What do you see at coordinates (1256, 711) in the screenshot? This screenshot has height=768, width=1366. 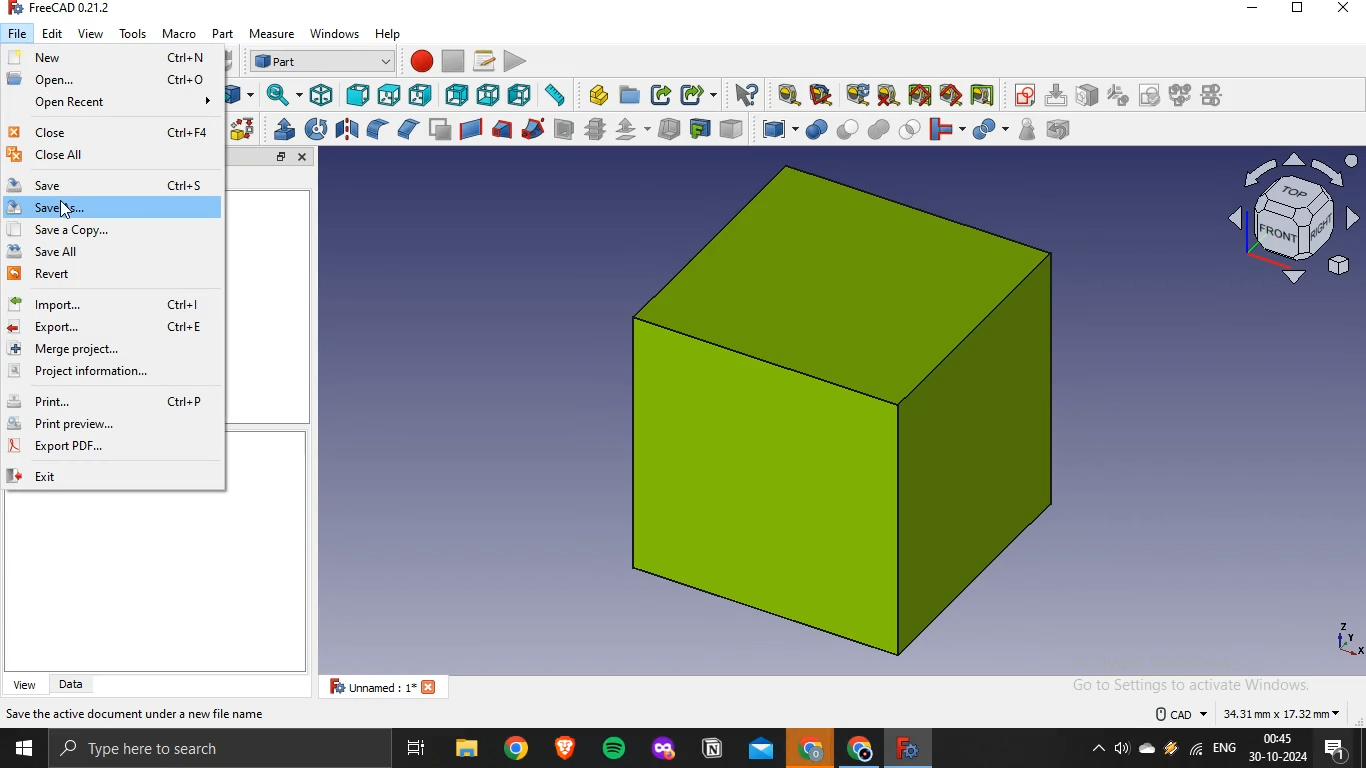 I see `dimensions` at bounding box center [1256, 711].